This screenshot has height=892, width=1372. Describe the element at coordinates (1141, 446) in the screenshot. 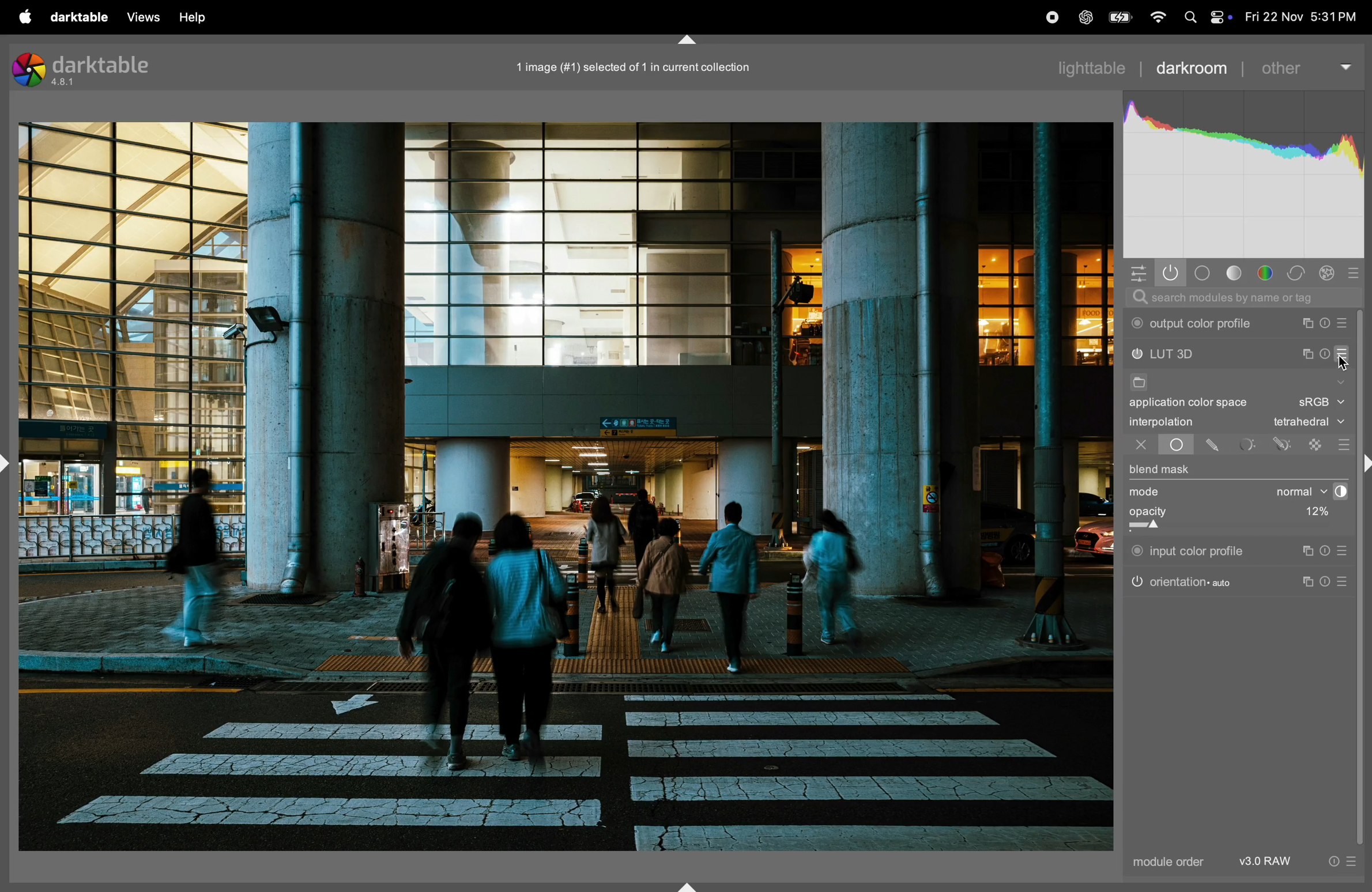

I see `off` at that location.